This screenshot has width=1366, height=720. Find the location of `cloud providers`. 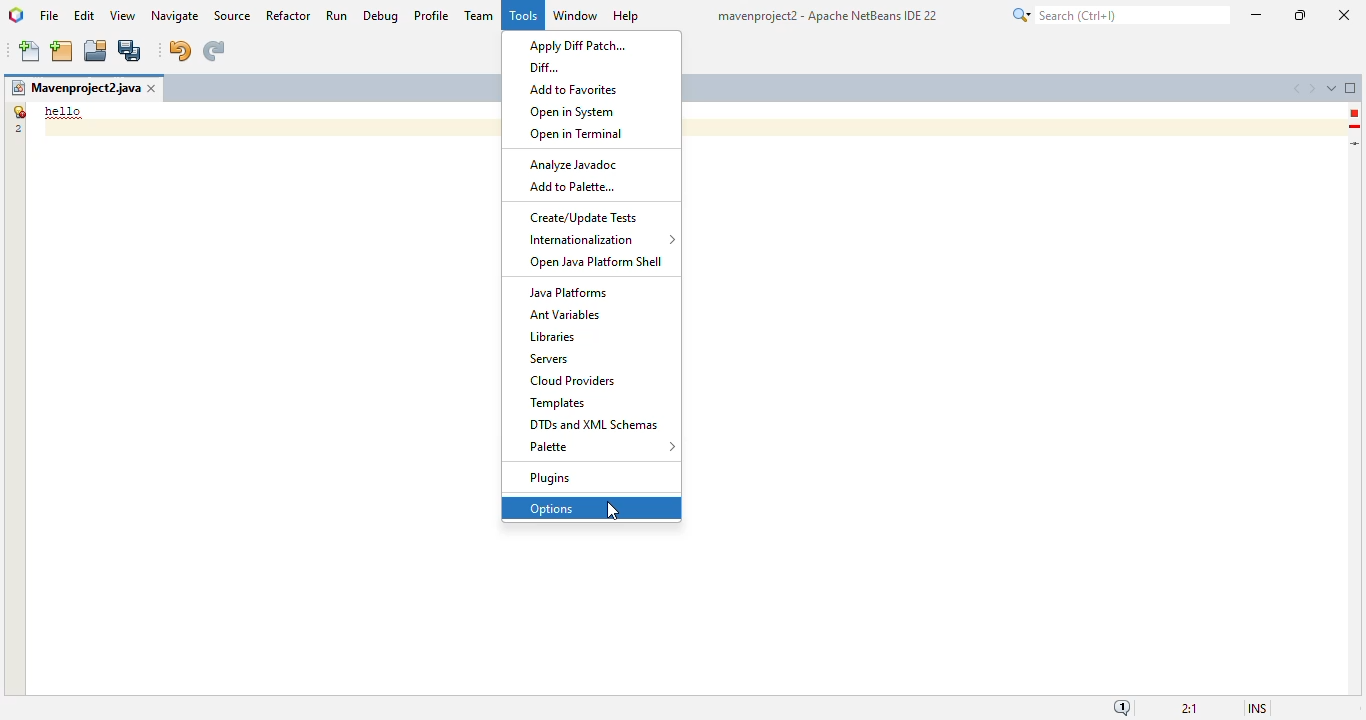

cloud providers is located at coordinates (575, 381).